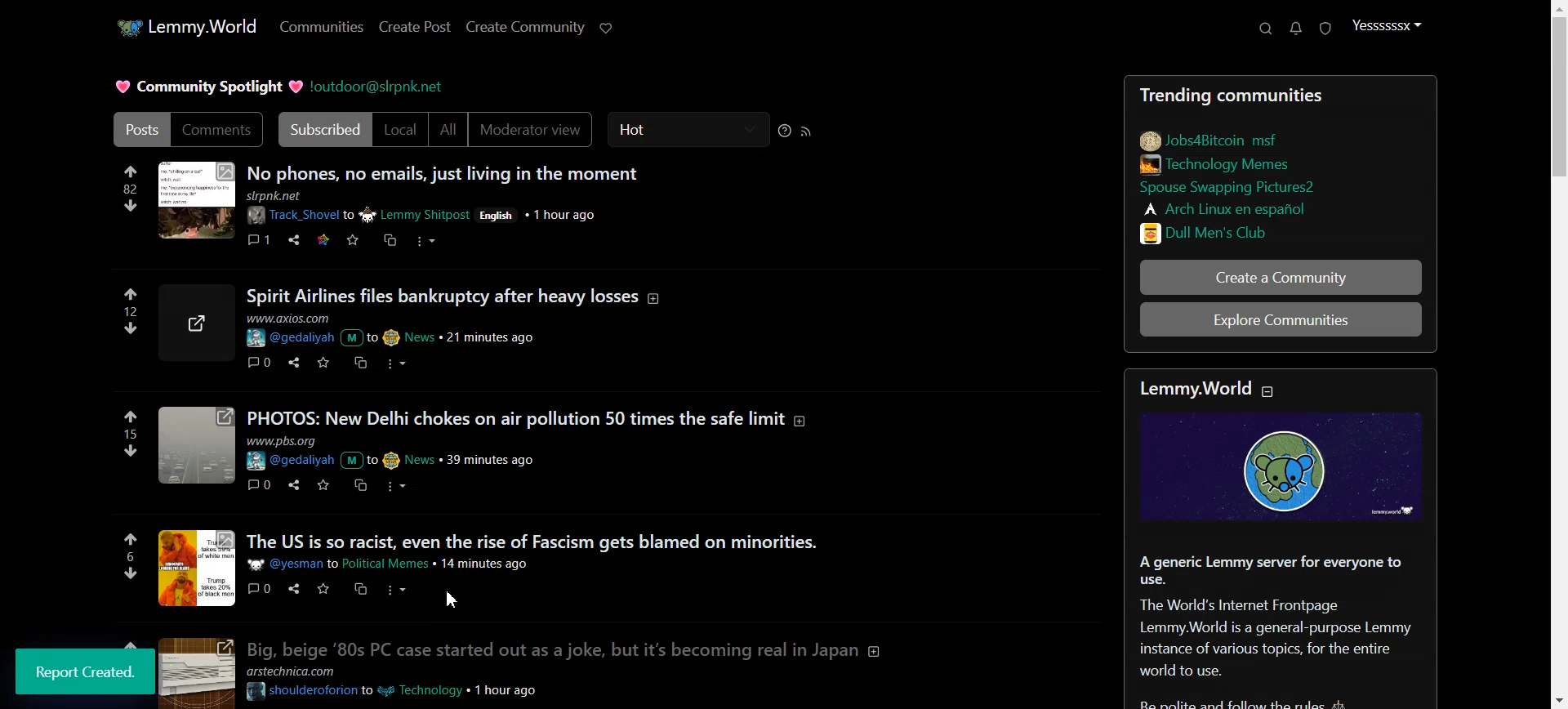 This screenshot has height=709, width=1568. What do you see at coordinates (131, 539) in the screenshot?
I see `upvote` at bounding box center [131, 539].